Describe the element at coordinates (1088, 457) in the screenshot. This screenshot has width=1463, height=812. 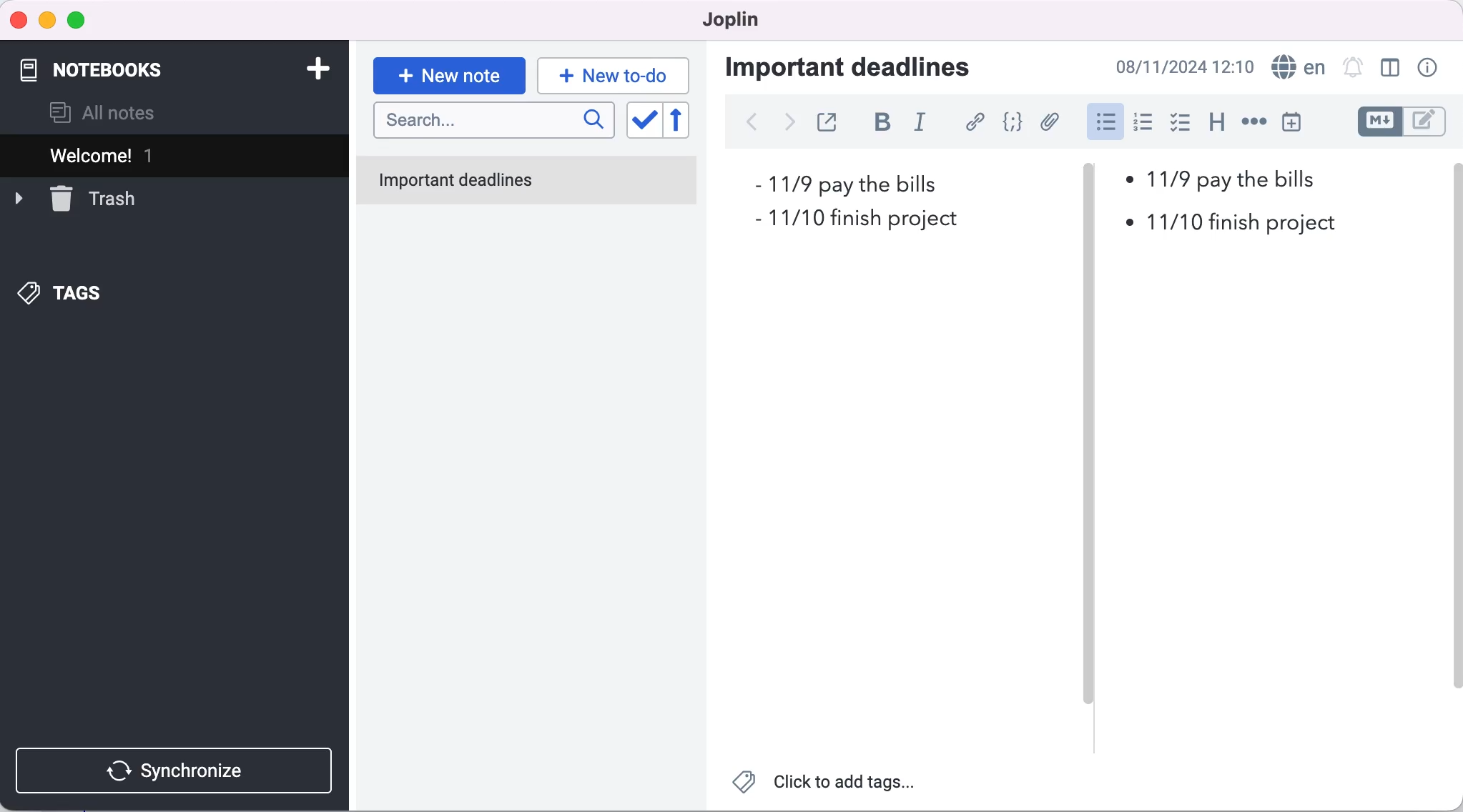
I see `vertical slider` at that location.